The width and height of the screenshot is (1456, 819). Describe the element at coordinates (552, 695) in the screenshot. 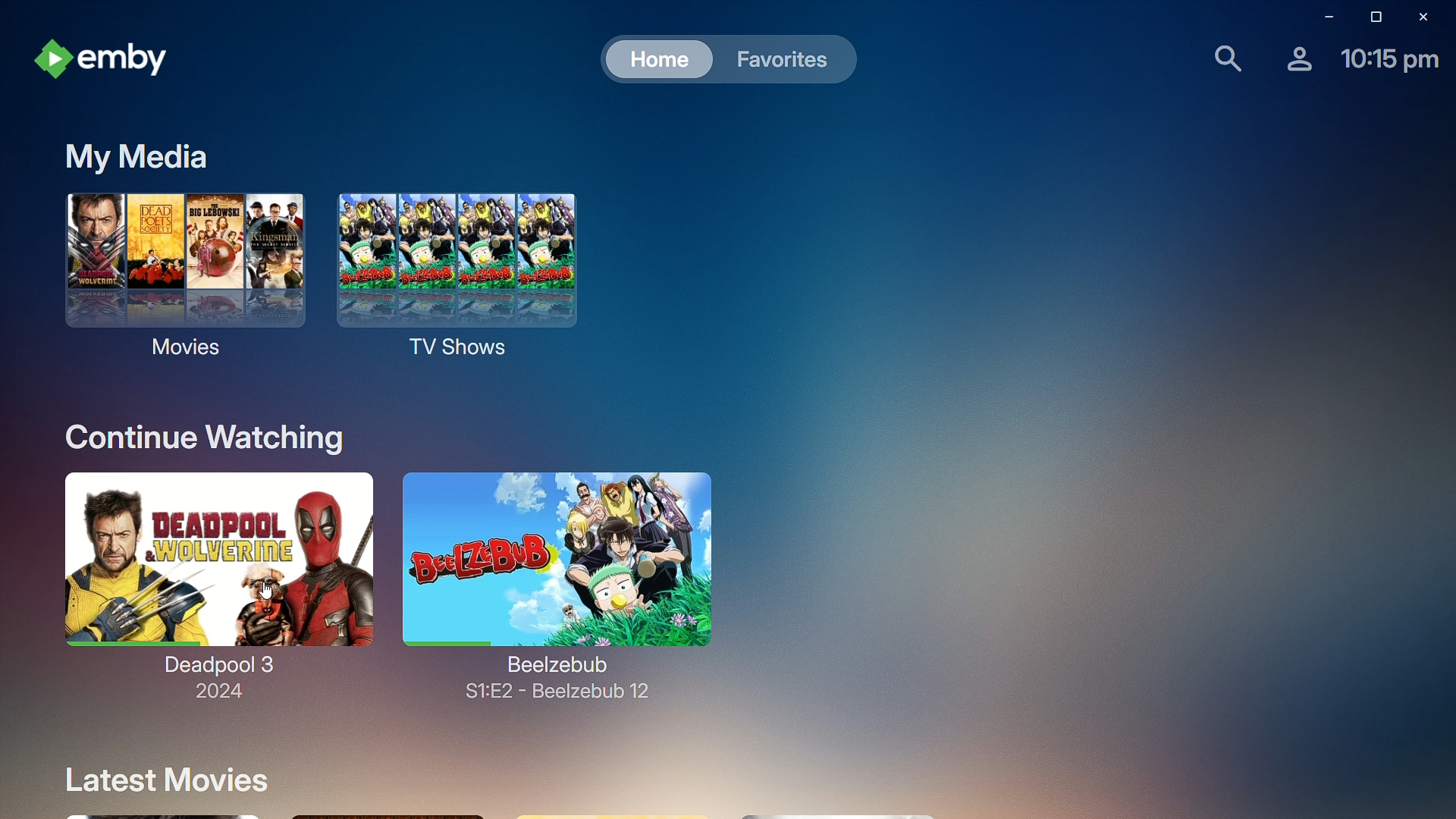

I see `S1:E2 - Beelzebub 2` at that location.